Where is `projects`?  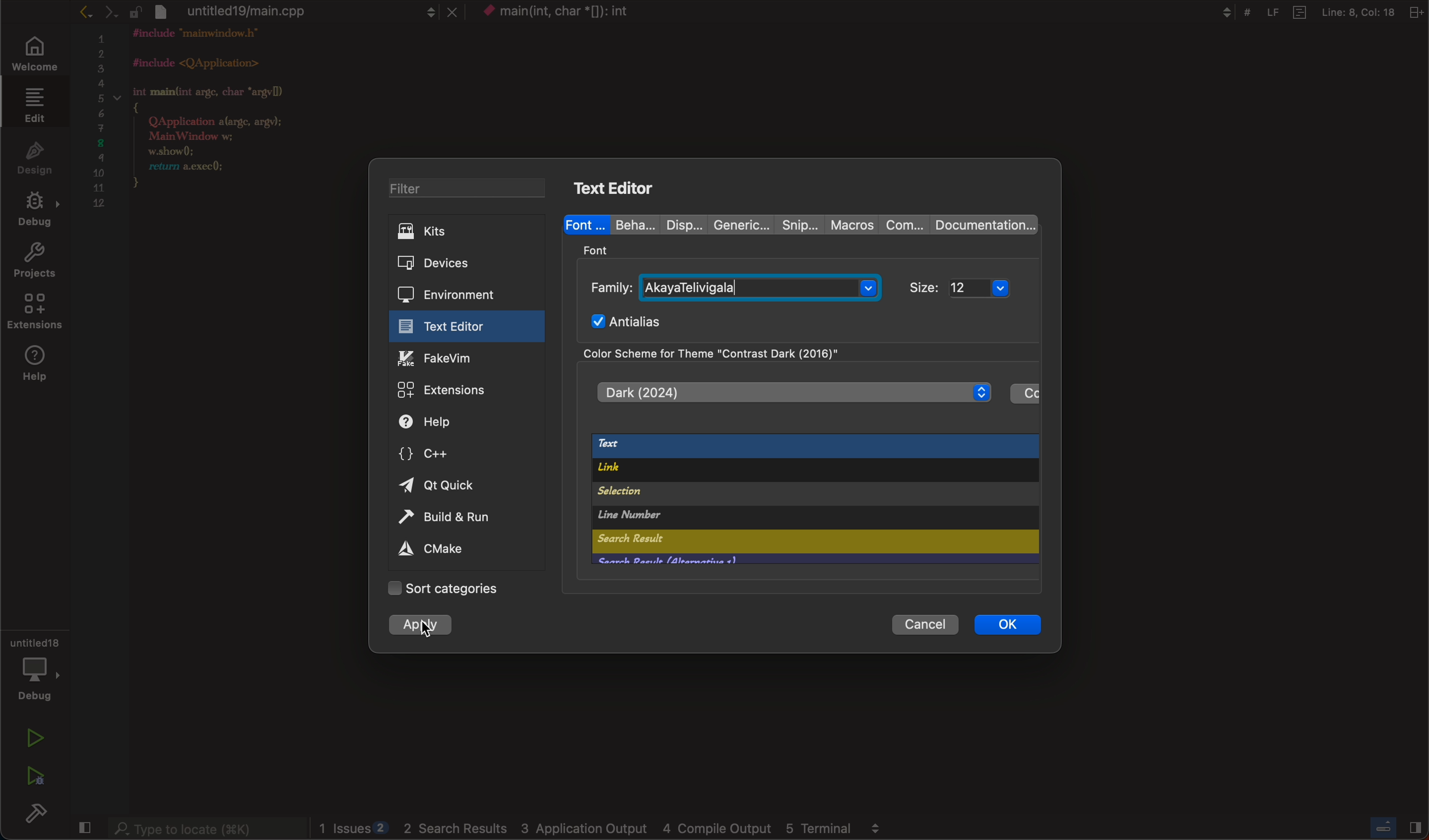 projects is located at coordinates (35, 262).